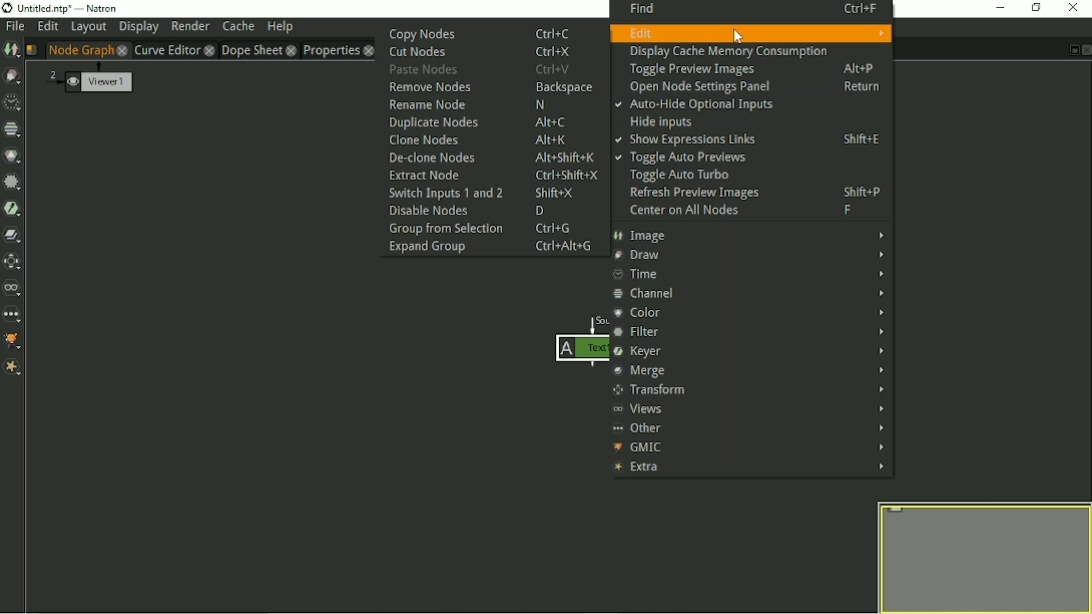  I want to click on Toggle Preview Images, so click(752, 69).